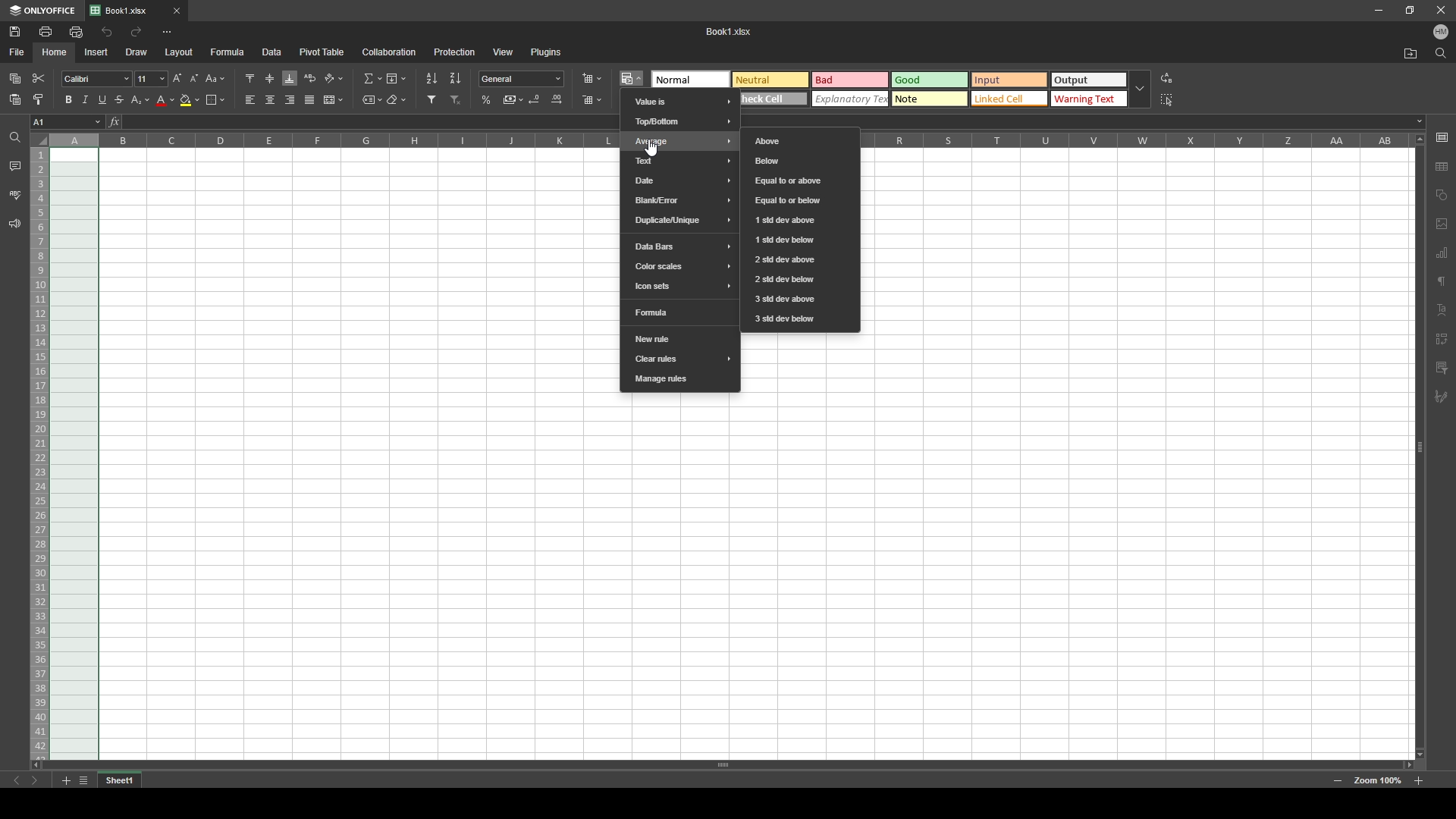  Describe the element at coordinates (65, 781) in the screenshot. I see `add sheet` at that location.